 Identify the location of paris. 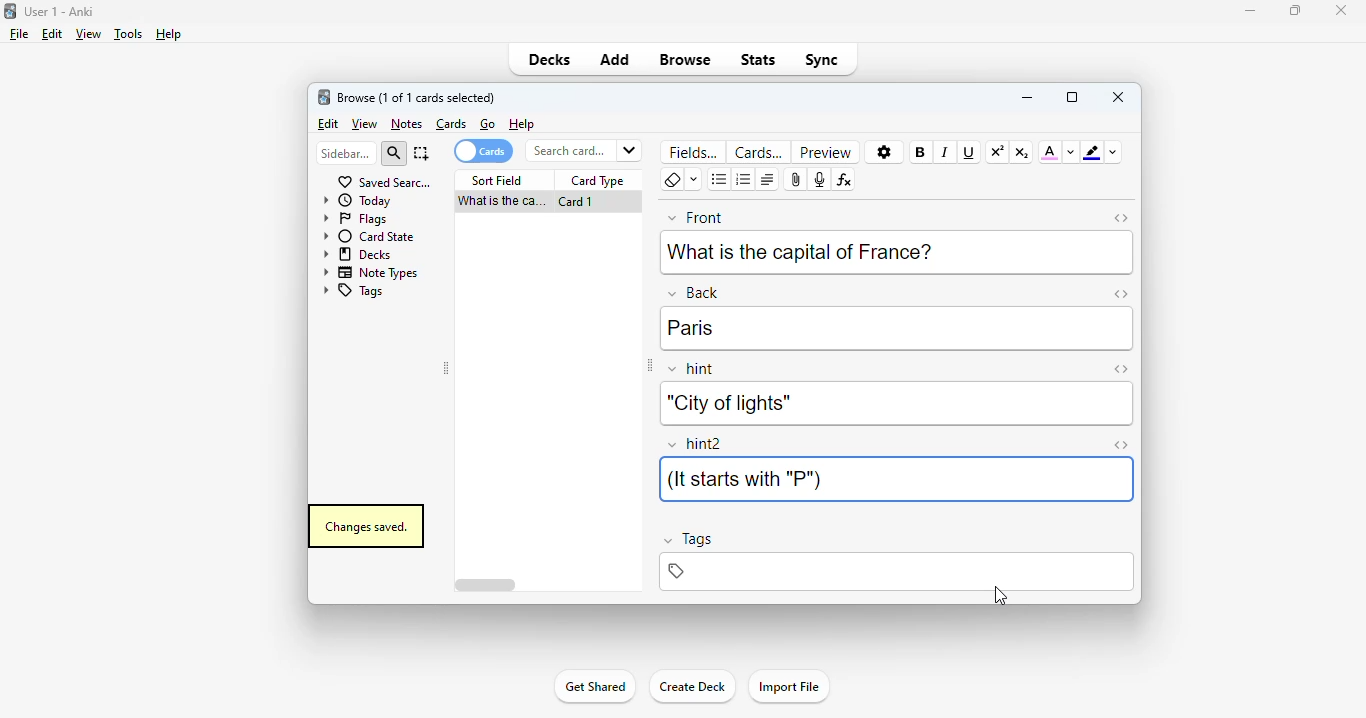
(691, 328).